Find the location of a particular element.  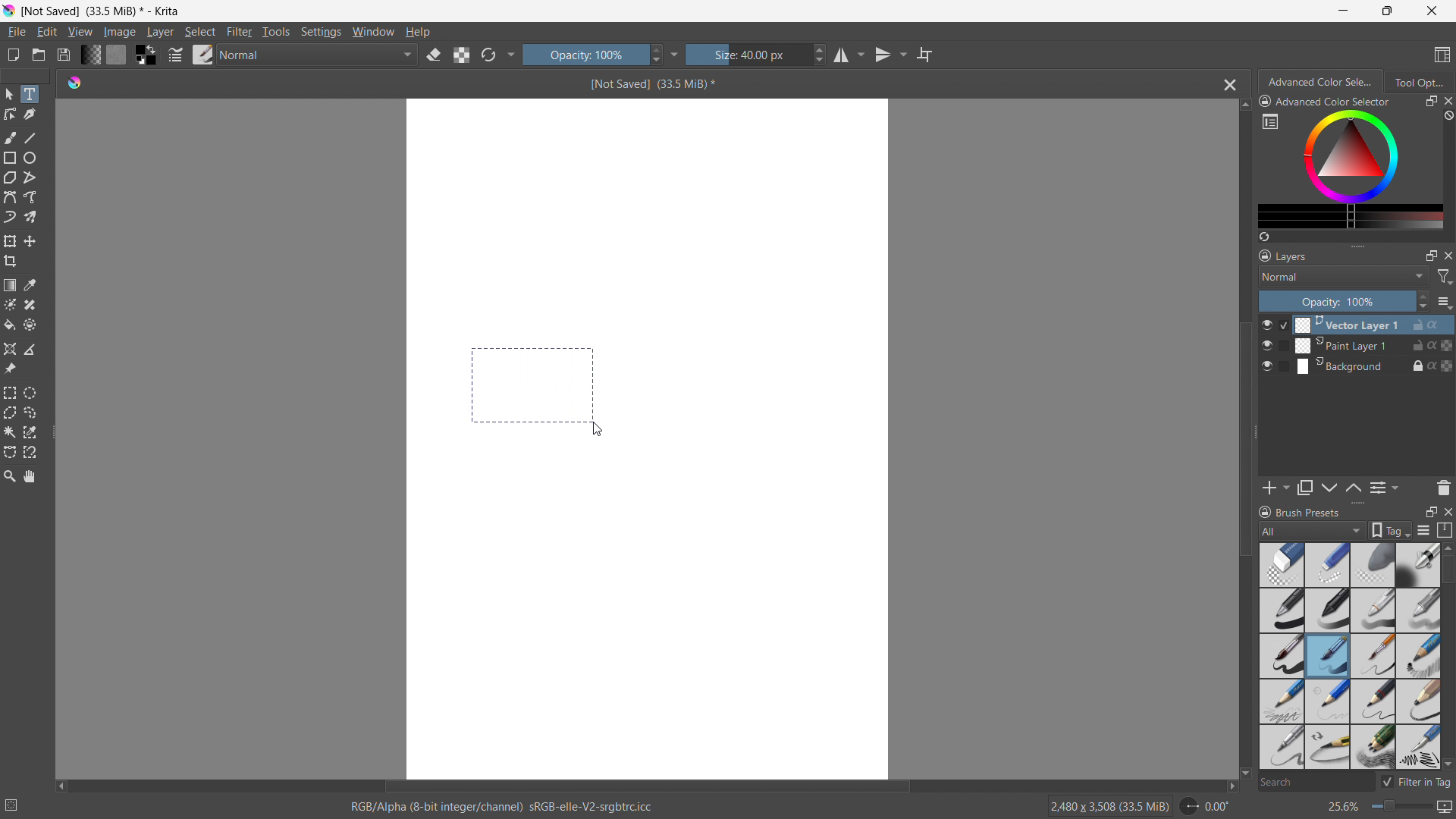

blur pencil is located at coordinates (1418, 609).